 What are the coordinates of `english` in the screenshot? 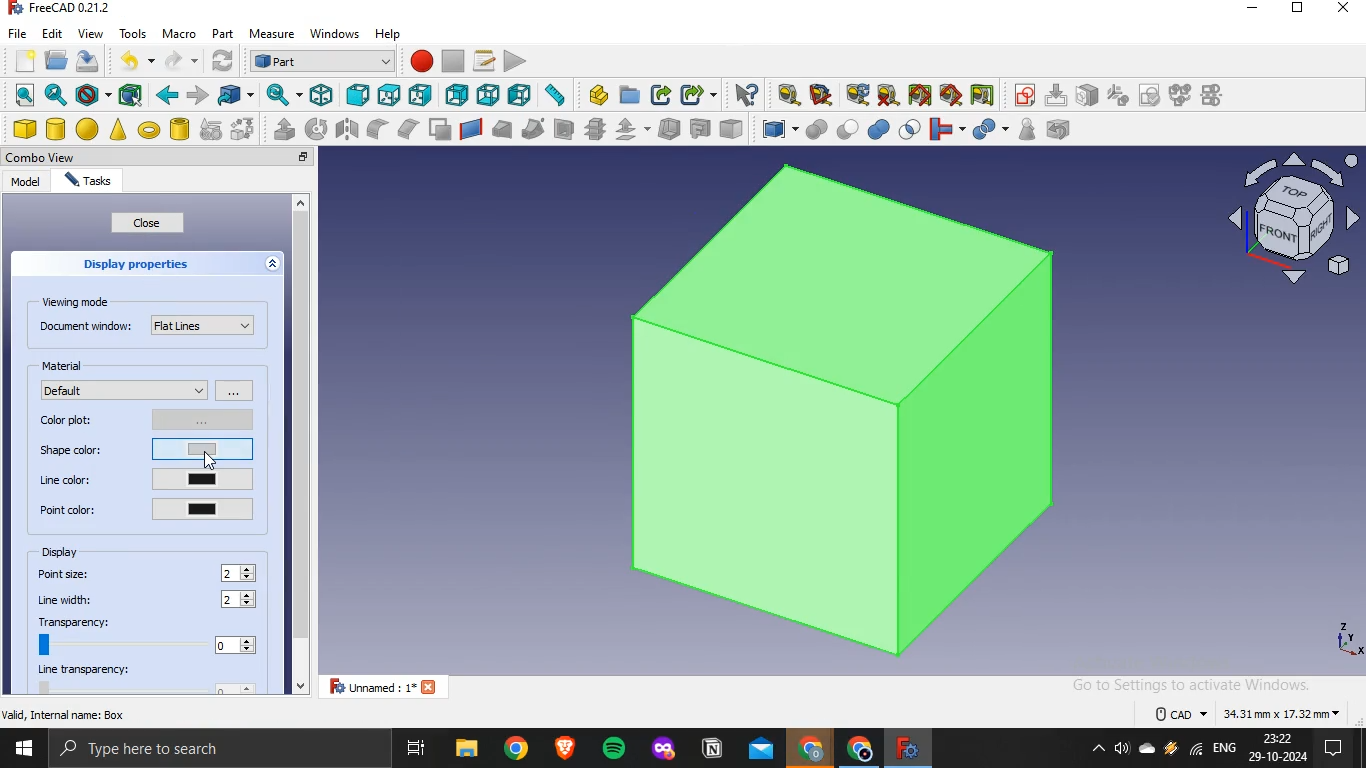 It's located at (1225, 748).